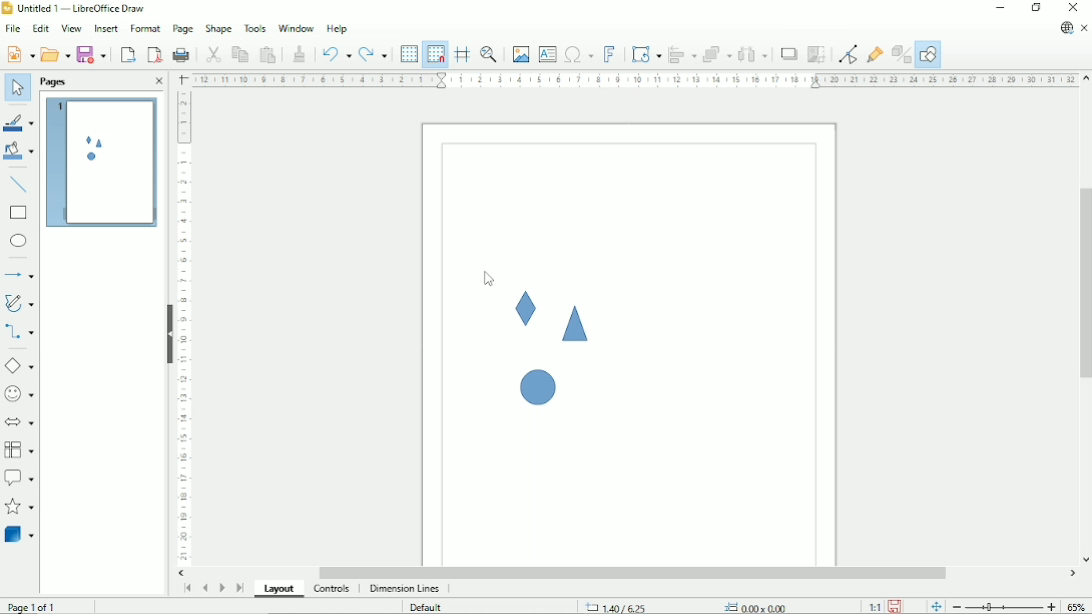  I want to click on Clone formatting, so click(300, 53).